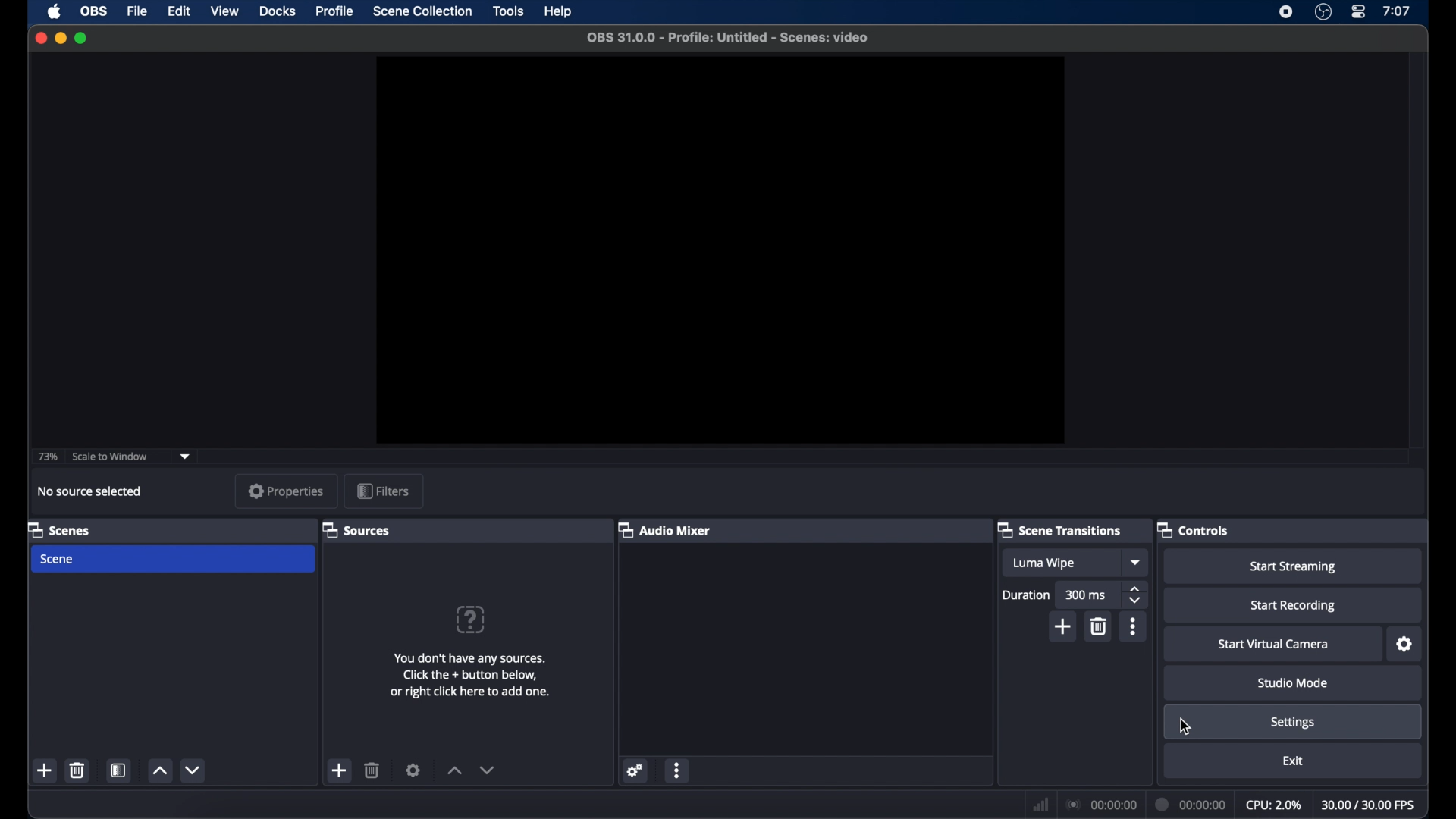 The image size is (1456, 819). Describe the element at coordinates (1062, 529) in the screenshot. I see `scene transituons` at that location.